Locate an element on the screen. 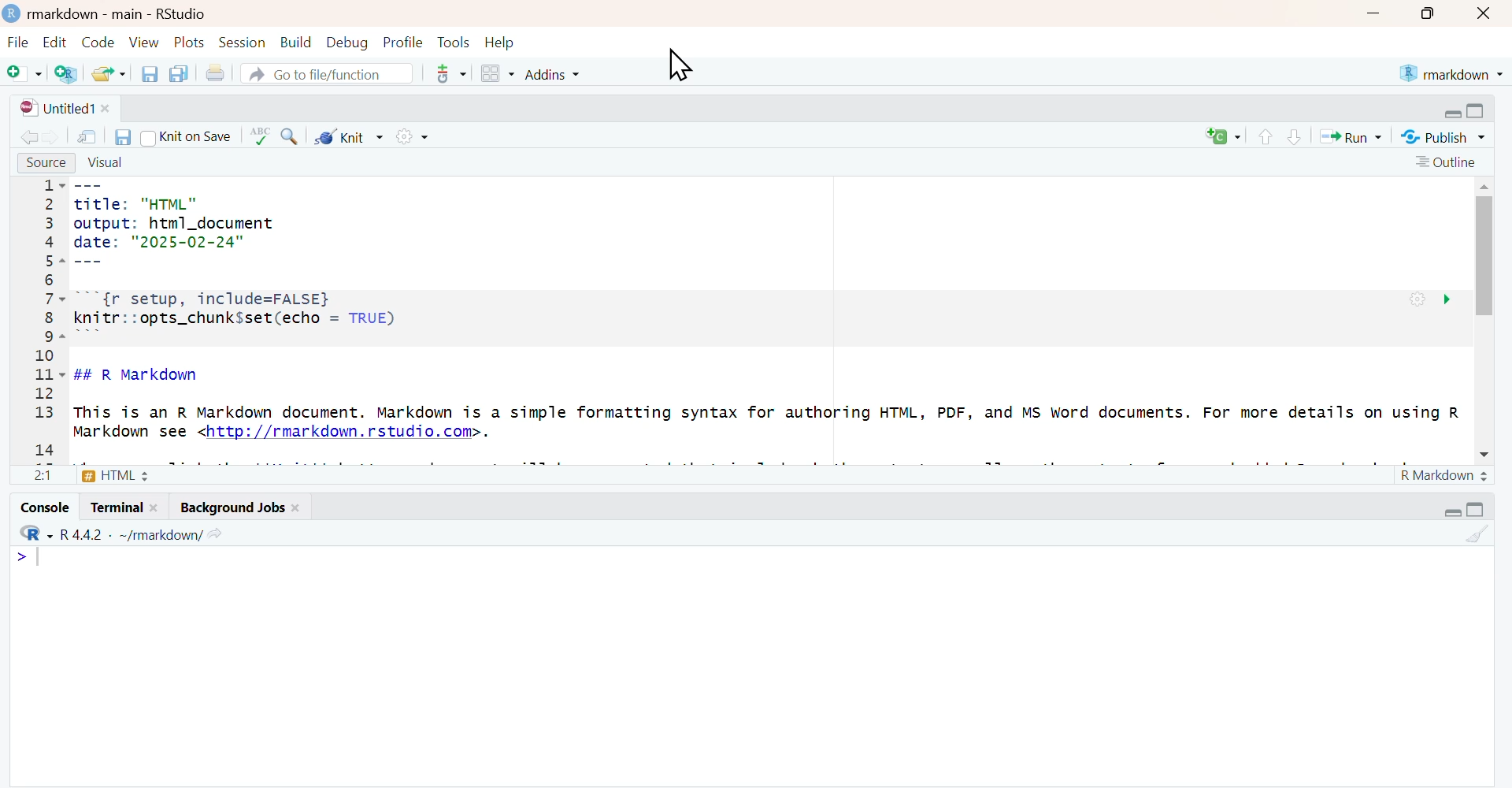 Image resolution: width=1512 pixels, height=788 pixels. line 1 is located at coordinates (28, 557).